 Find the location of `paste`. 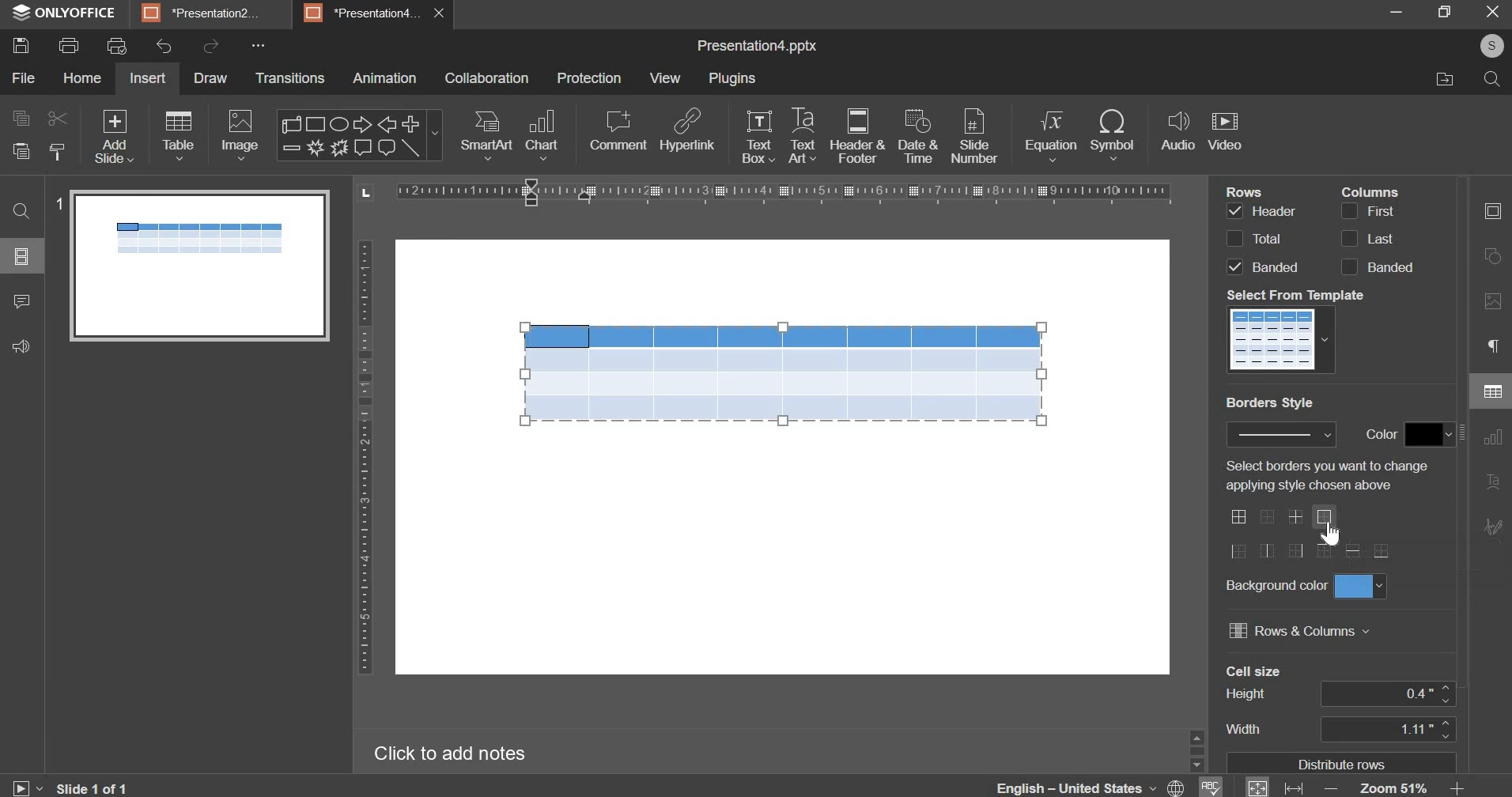

paste is located at coordinates (21, 150).